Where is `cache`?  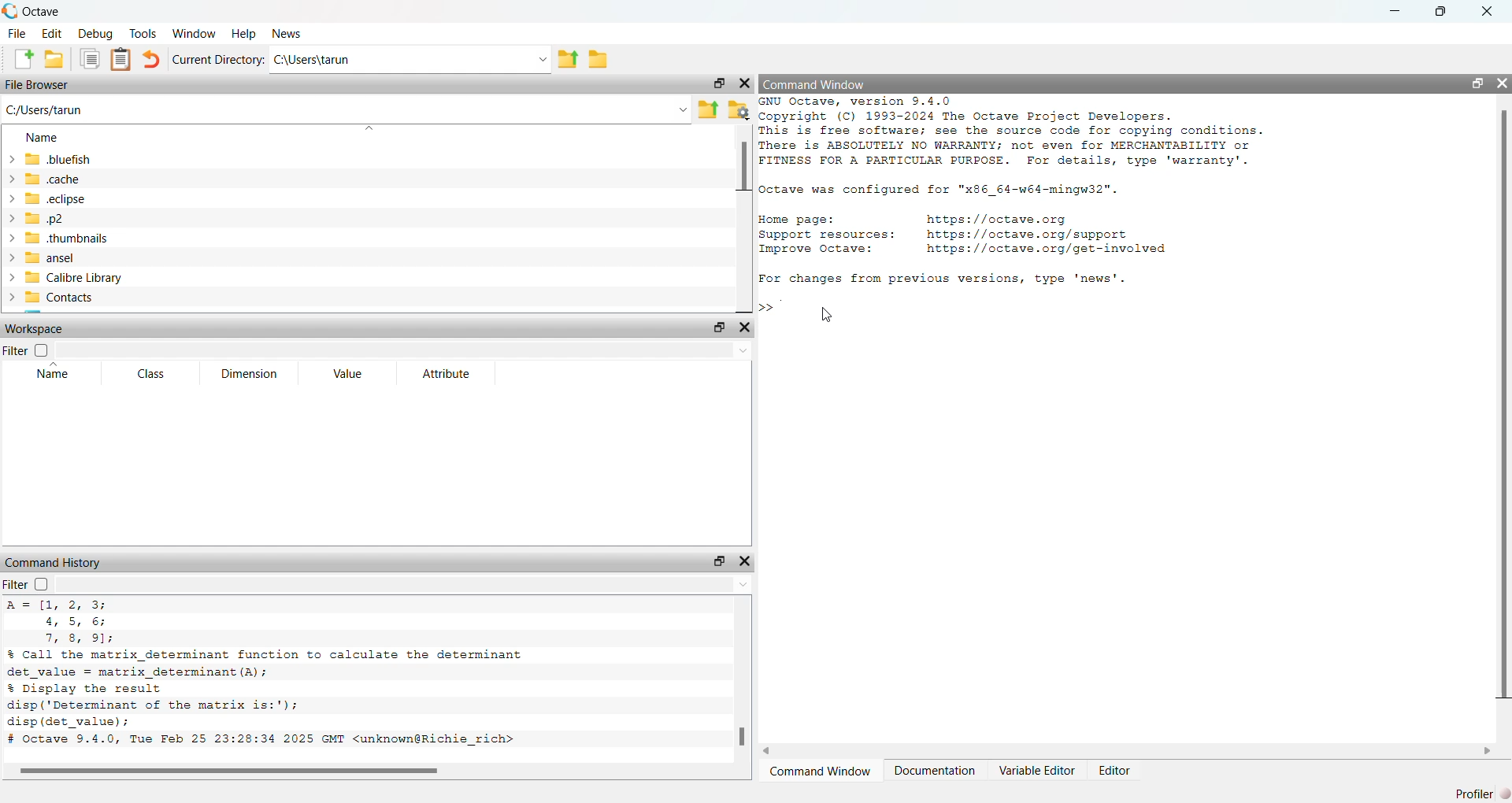 cache is located at coordinates (50, 179).